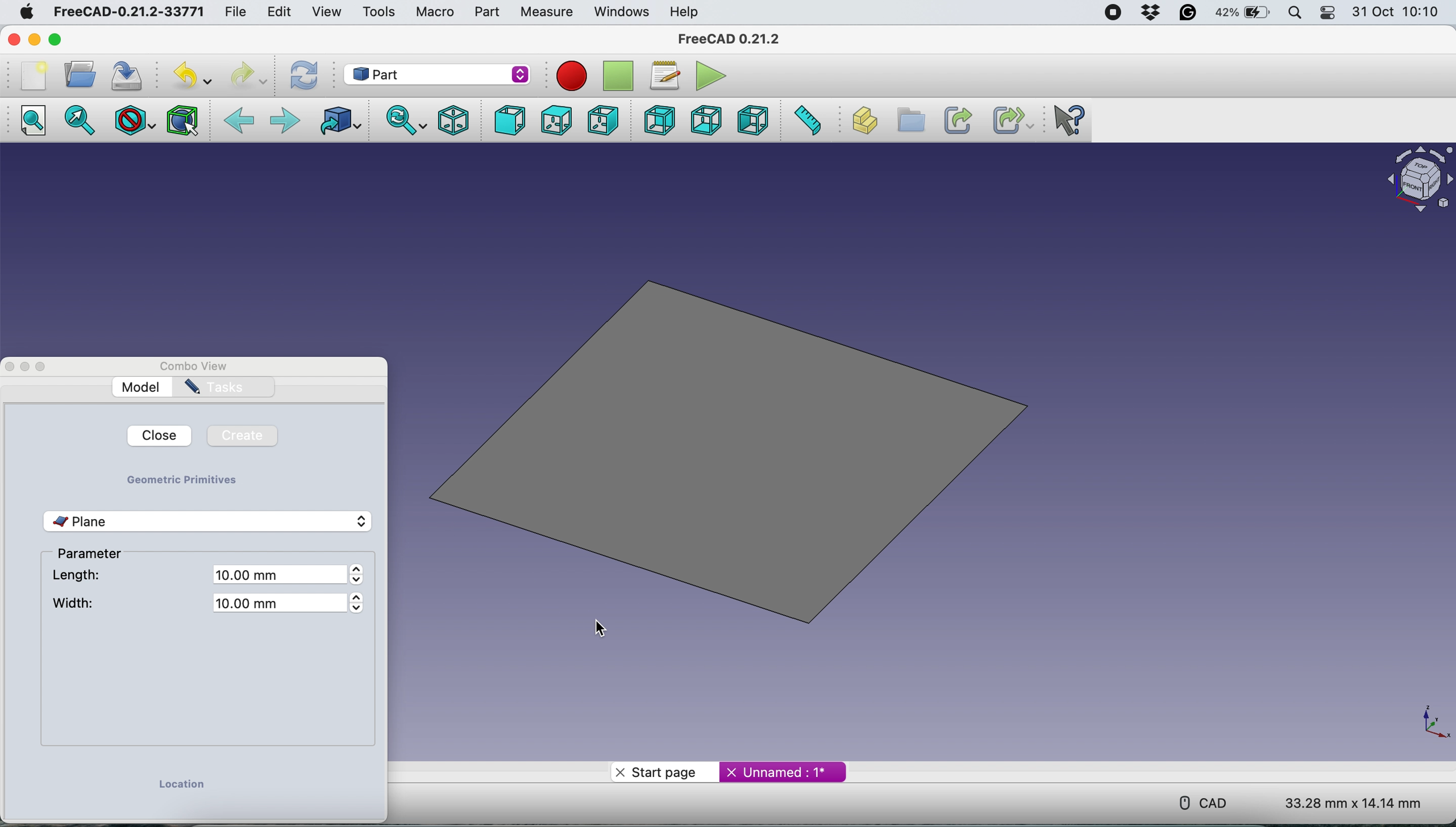 The image size is (1456, 827). I want to click on Model, so click(144, 387).